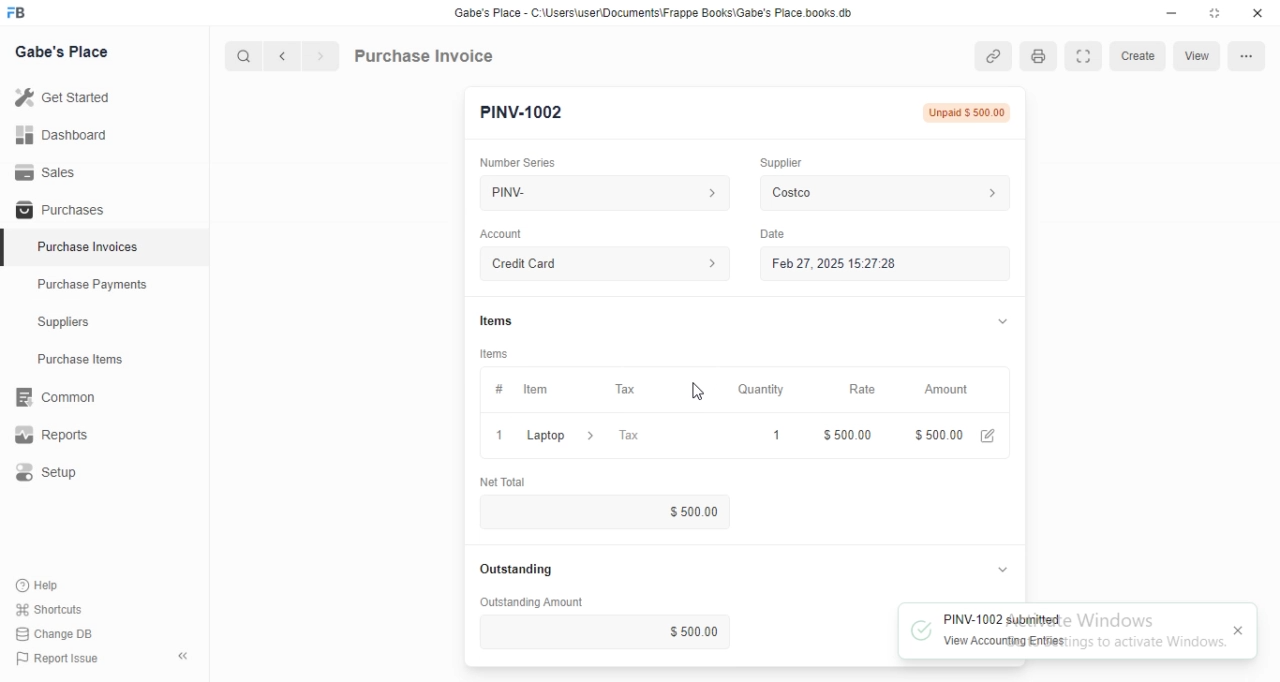  I want to click on Account, so click(501, 234).